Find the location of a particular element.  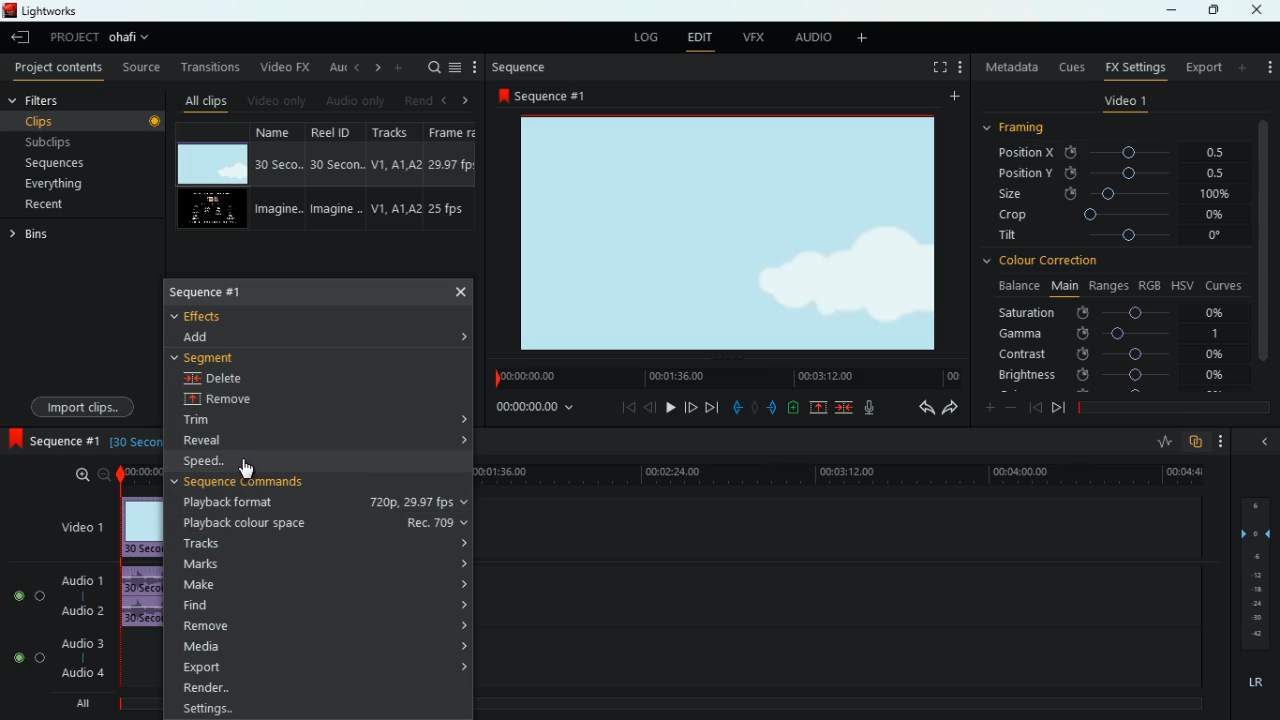

timeline is located at coordinates (1170, 405).